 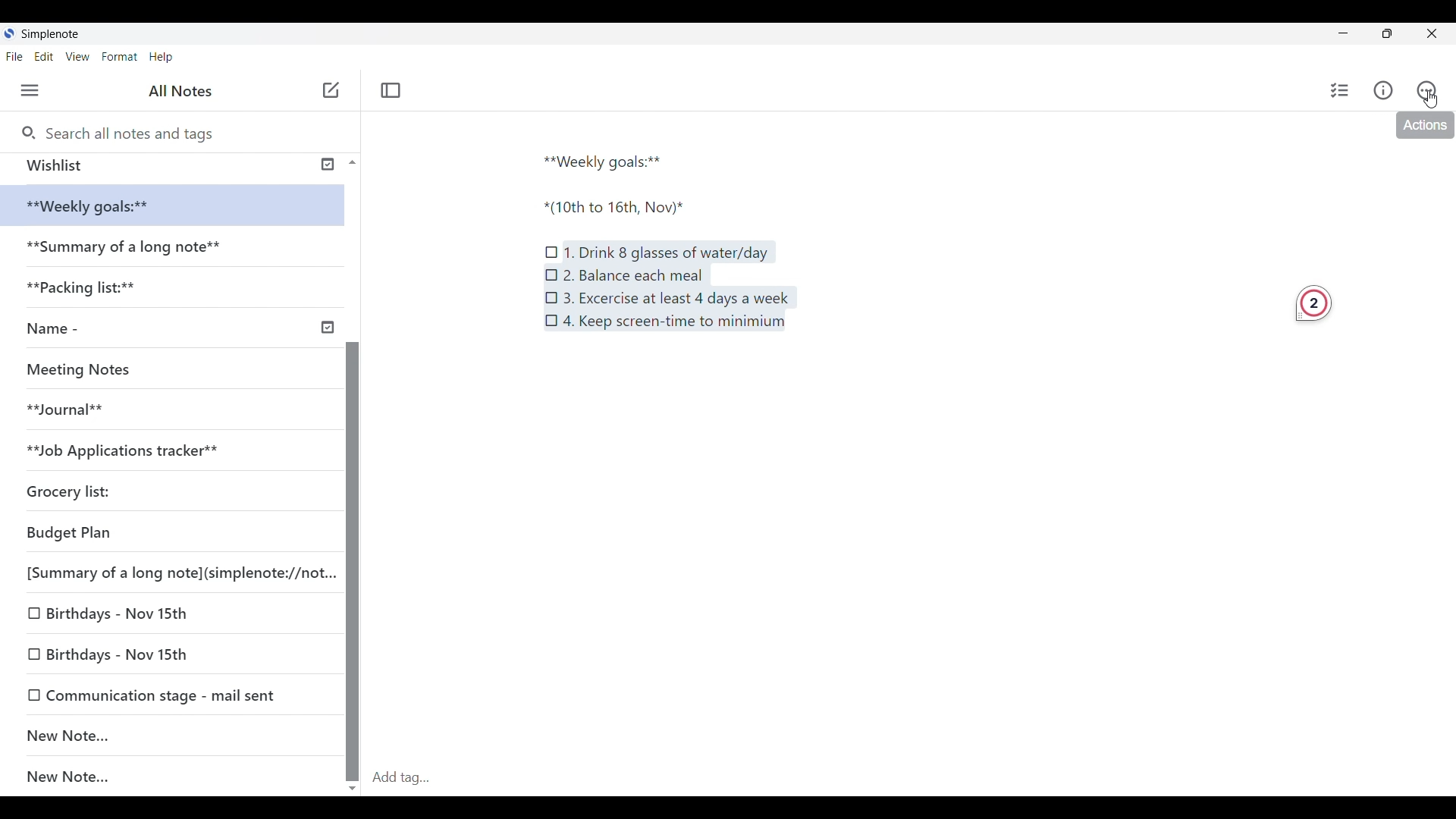 What do you see at coordinates (1423, 127) in the screenshot?
I see `Actions` at bounding box center [1423, 127].